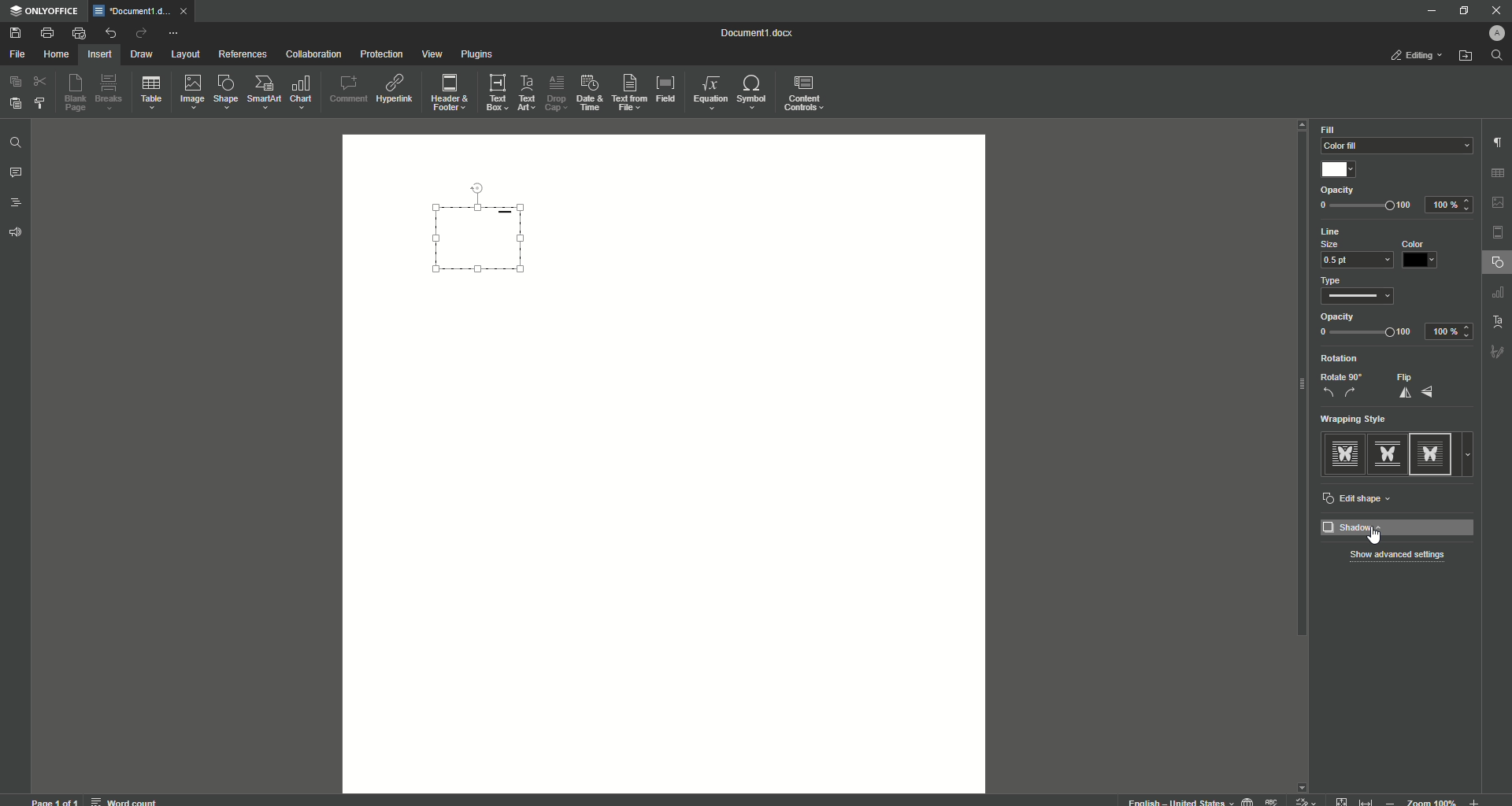  I want to click on Home, so click(56, 55).